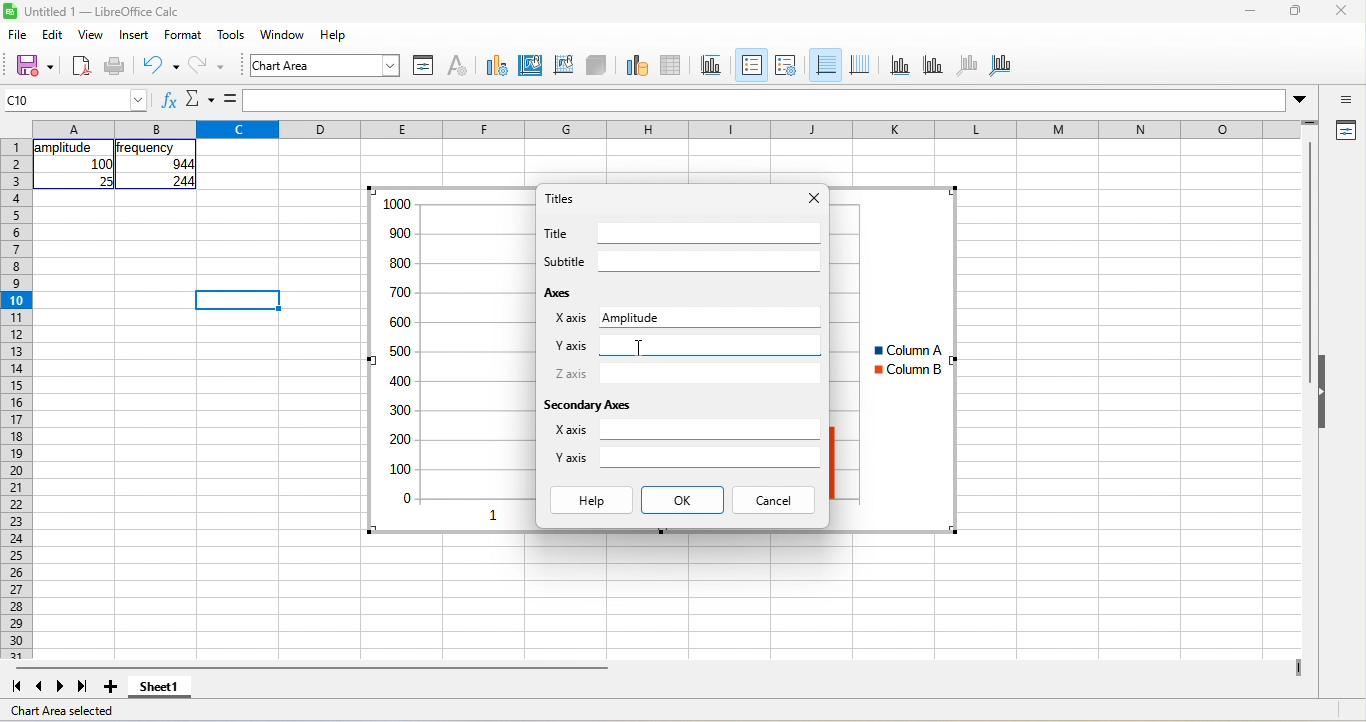  I want to click on close, so click(815, 198).